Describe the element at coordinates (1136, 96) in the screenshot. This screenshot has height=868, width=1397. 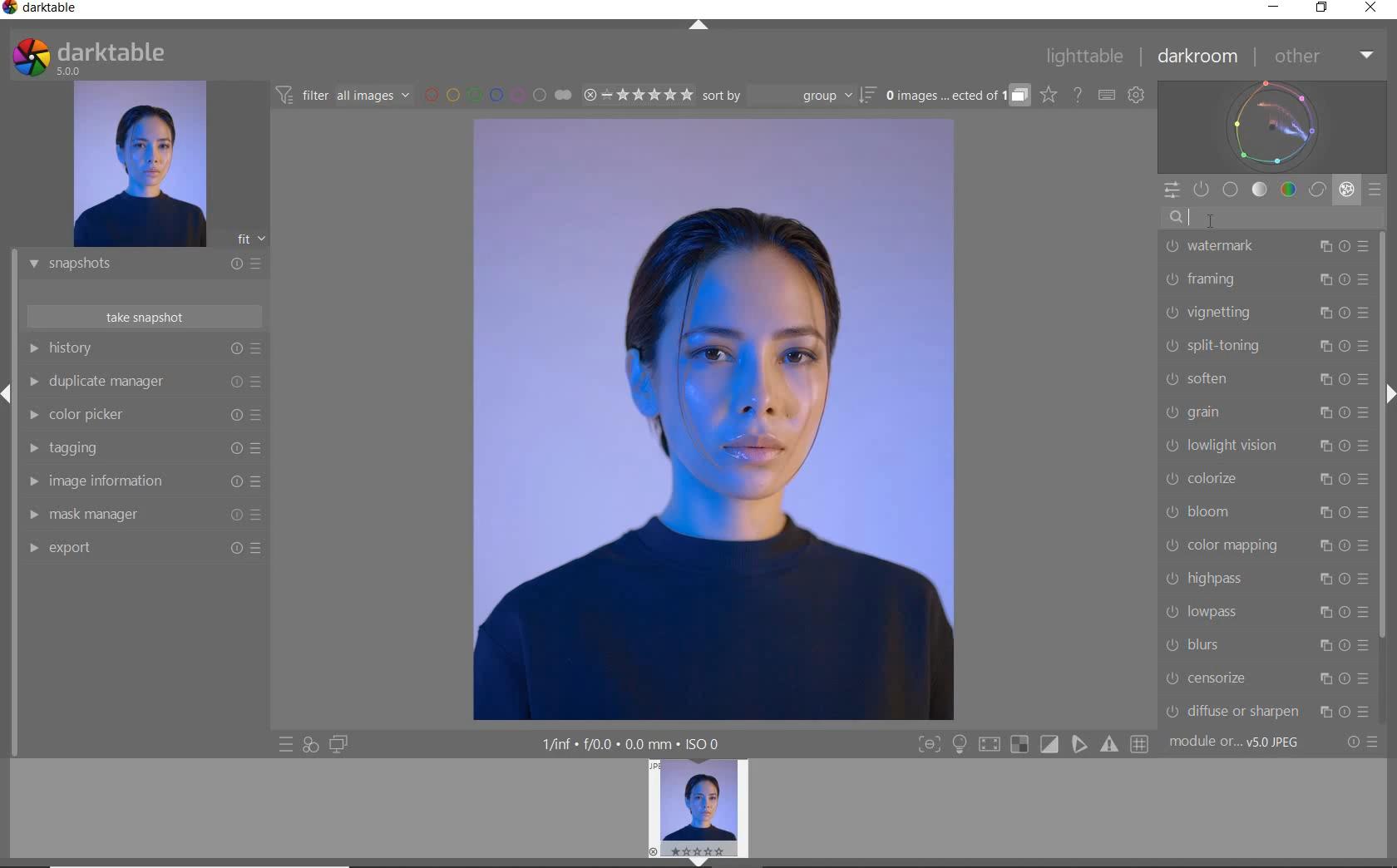
I see `SHOW GLOBAL PREFERENCES` at that location.